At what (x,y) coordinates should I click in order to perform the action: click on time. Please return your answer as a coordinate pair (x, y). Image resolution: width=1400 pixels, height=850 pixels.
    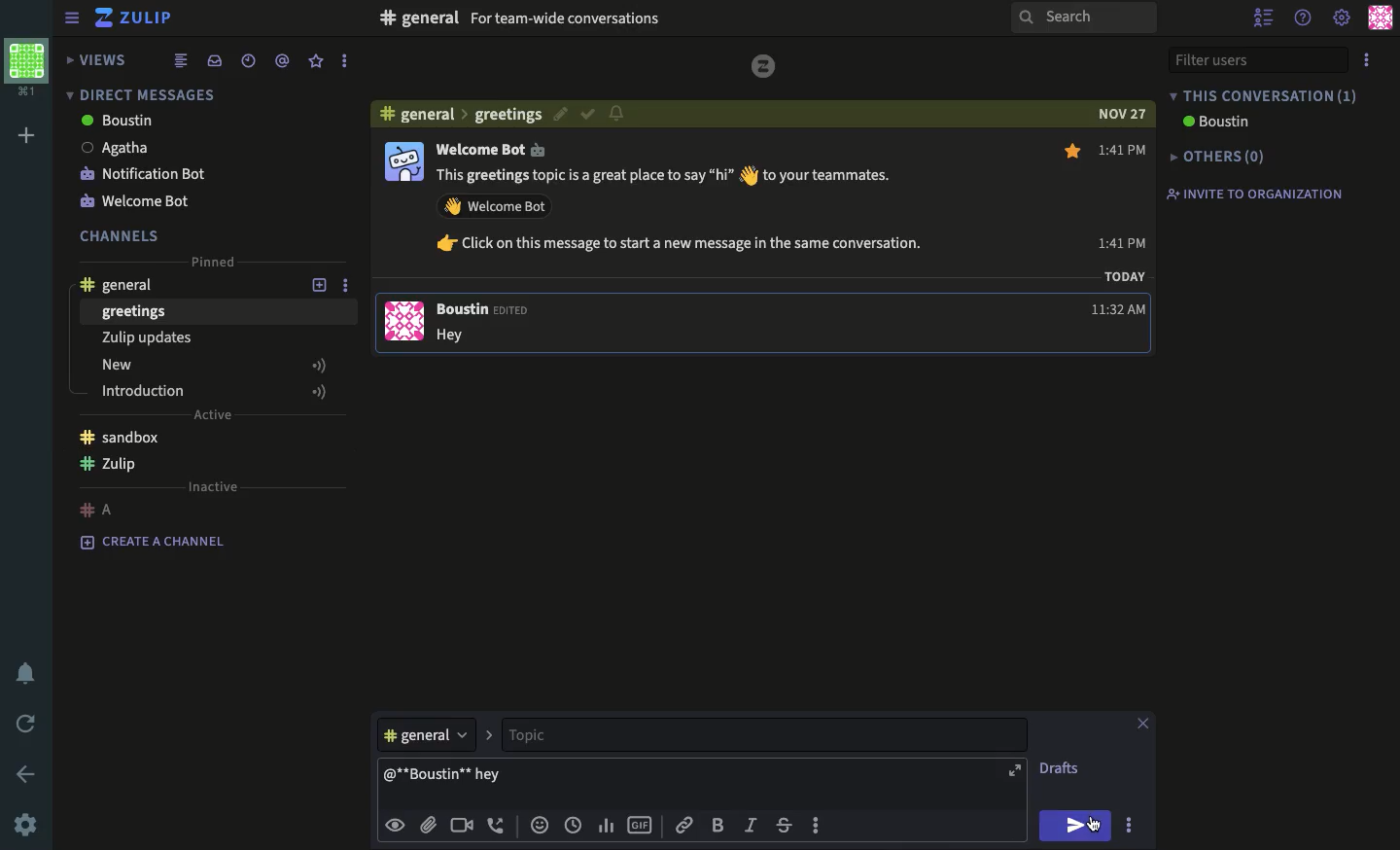
    Looking at the image, I should click on (575, 826).